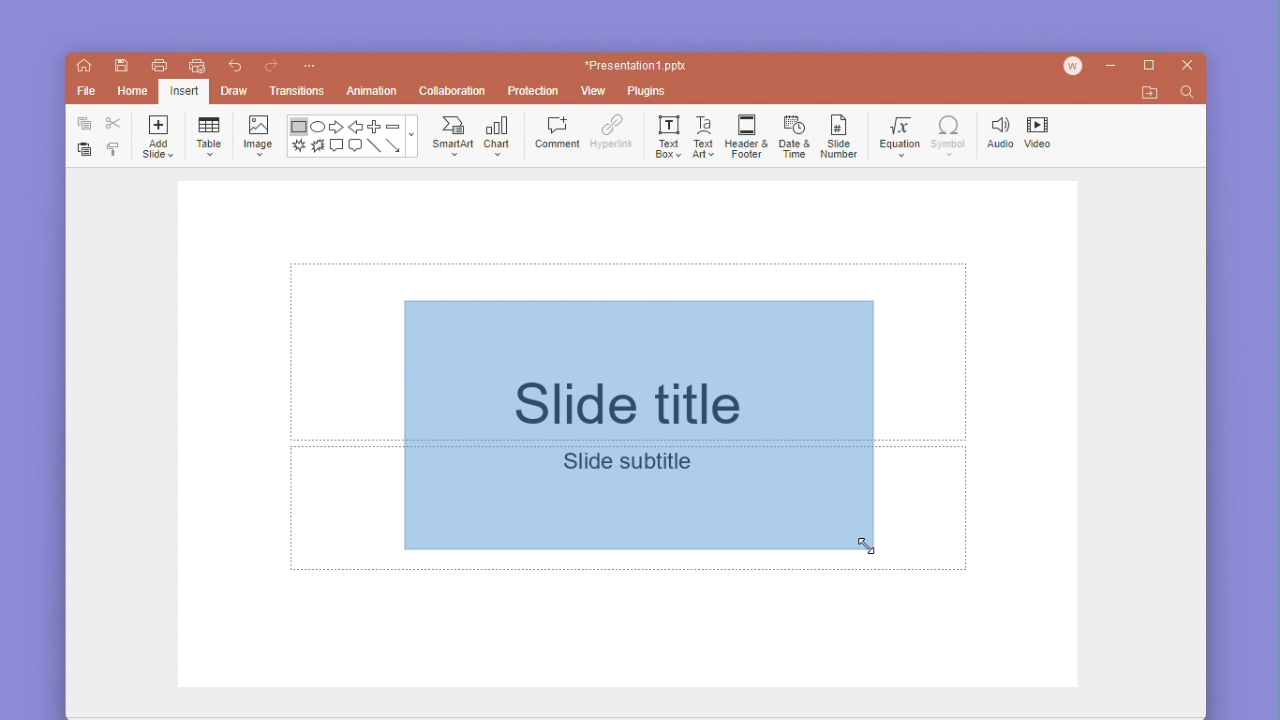  I want to click on symbol, so click(949, 130).